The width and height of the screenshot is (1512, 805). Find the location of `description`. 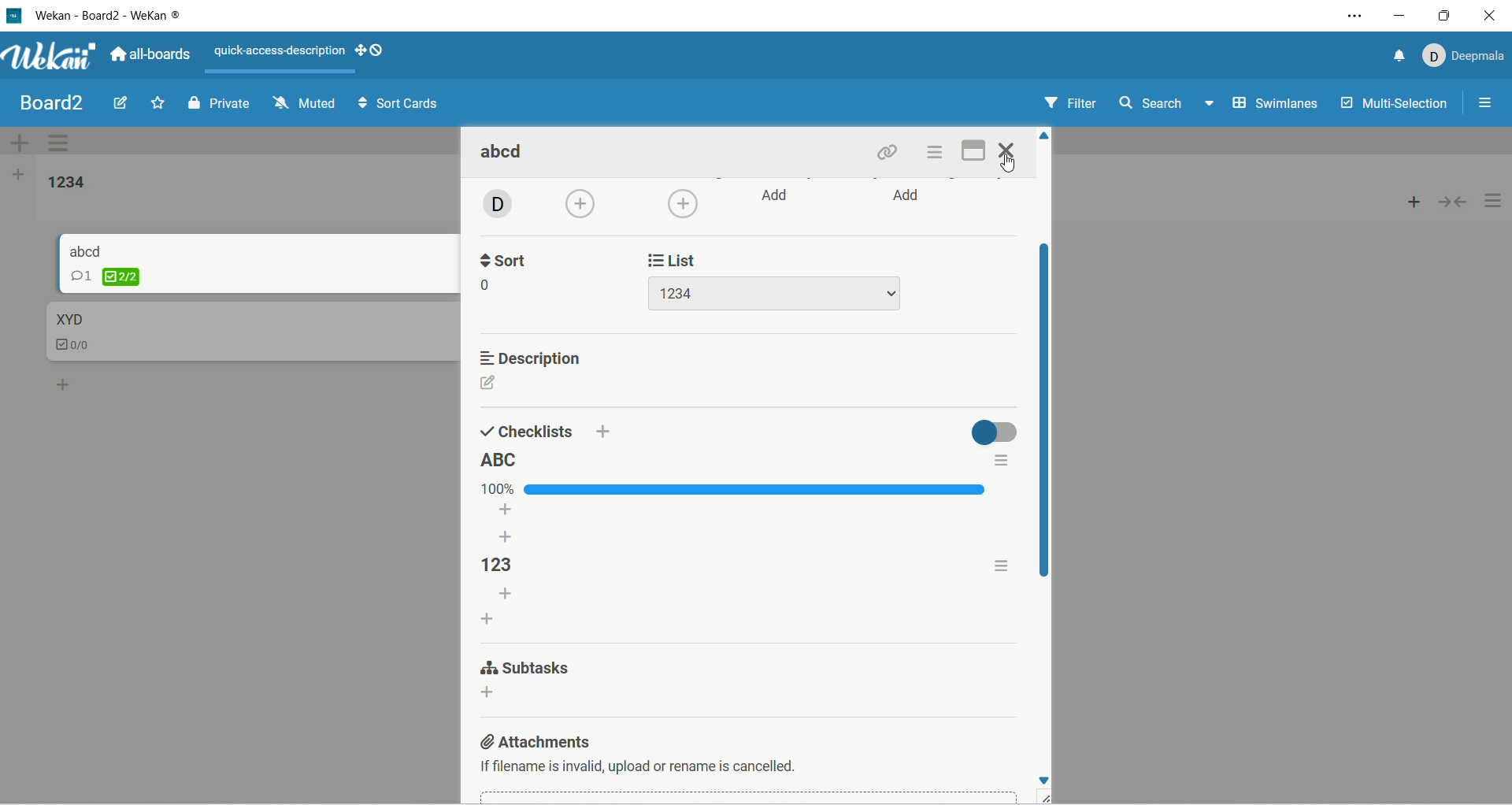

description is located at coordinates (533, 358).